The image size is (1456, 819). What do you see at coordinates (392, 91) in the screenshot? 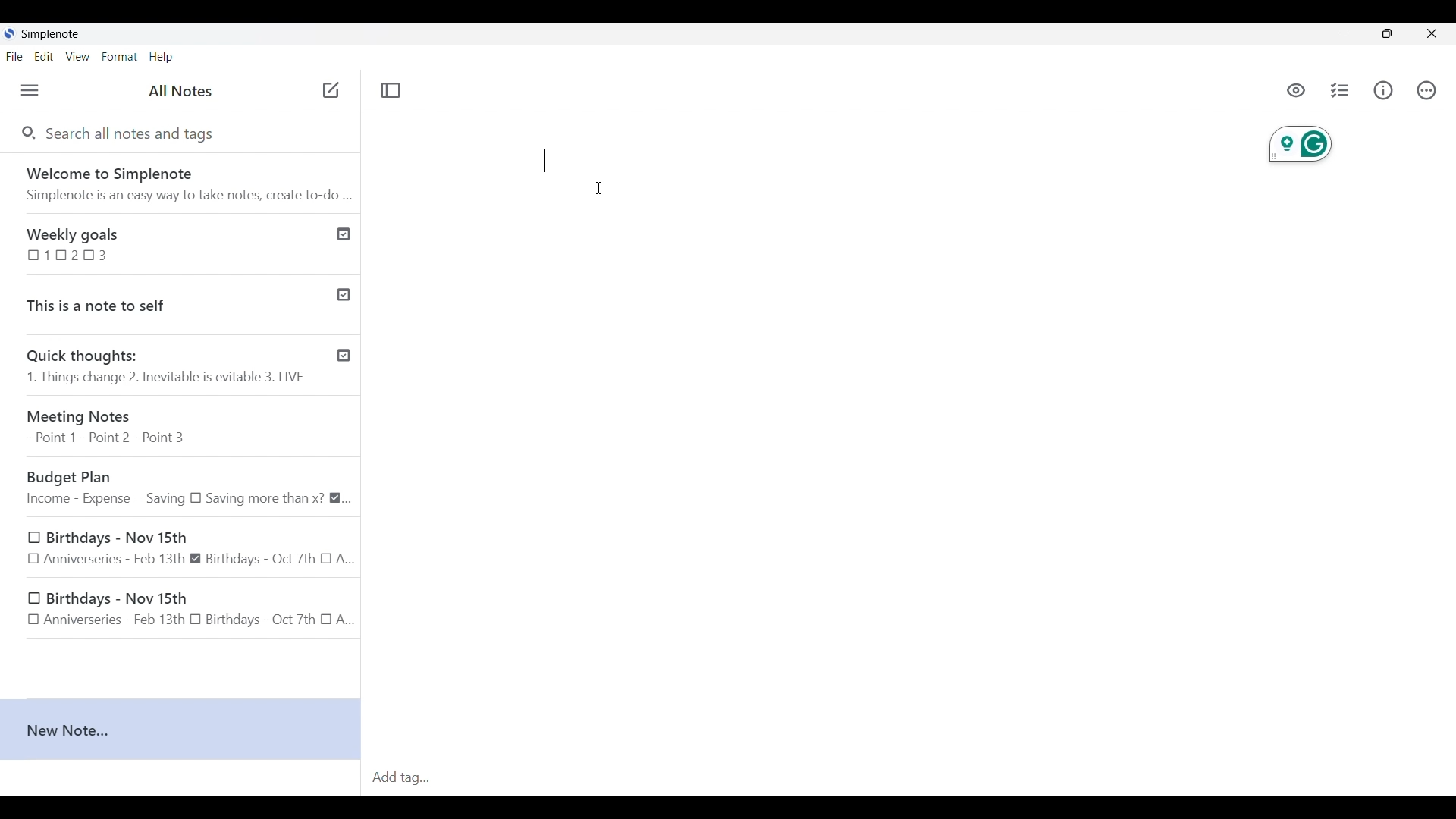
I see `Toggle focus mode` at bounding box center [392, 91].